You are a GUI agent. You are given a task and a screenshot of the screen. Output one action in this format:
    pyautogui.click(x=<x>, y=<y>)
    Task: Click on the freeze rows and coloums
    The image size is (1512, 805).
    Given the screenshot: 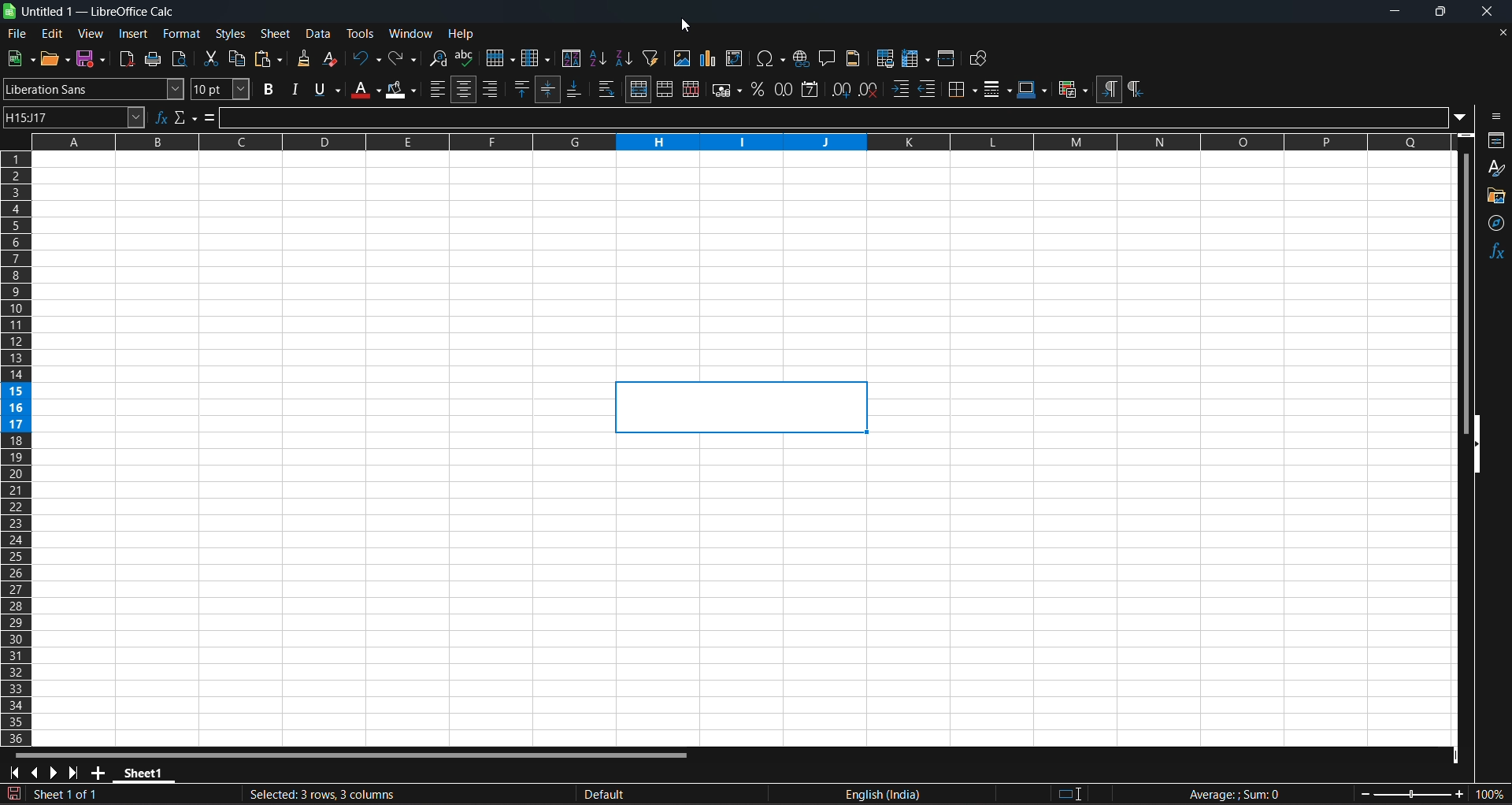 What is the action you would take?
    pyautogui.click(x=917, y=59)
    